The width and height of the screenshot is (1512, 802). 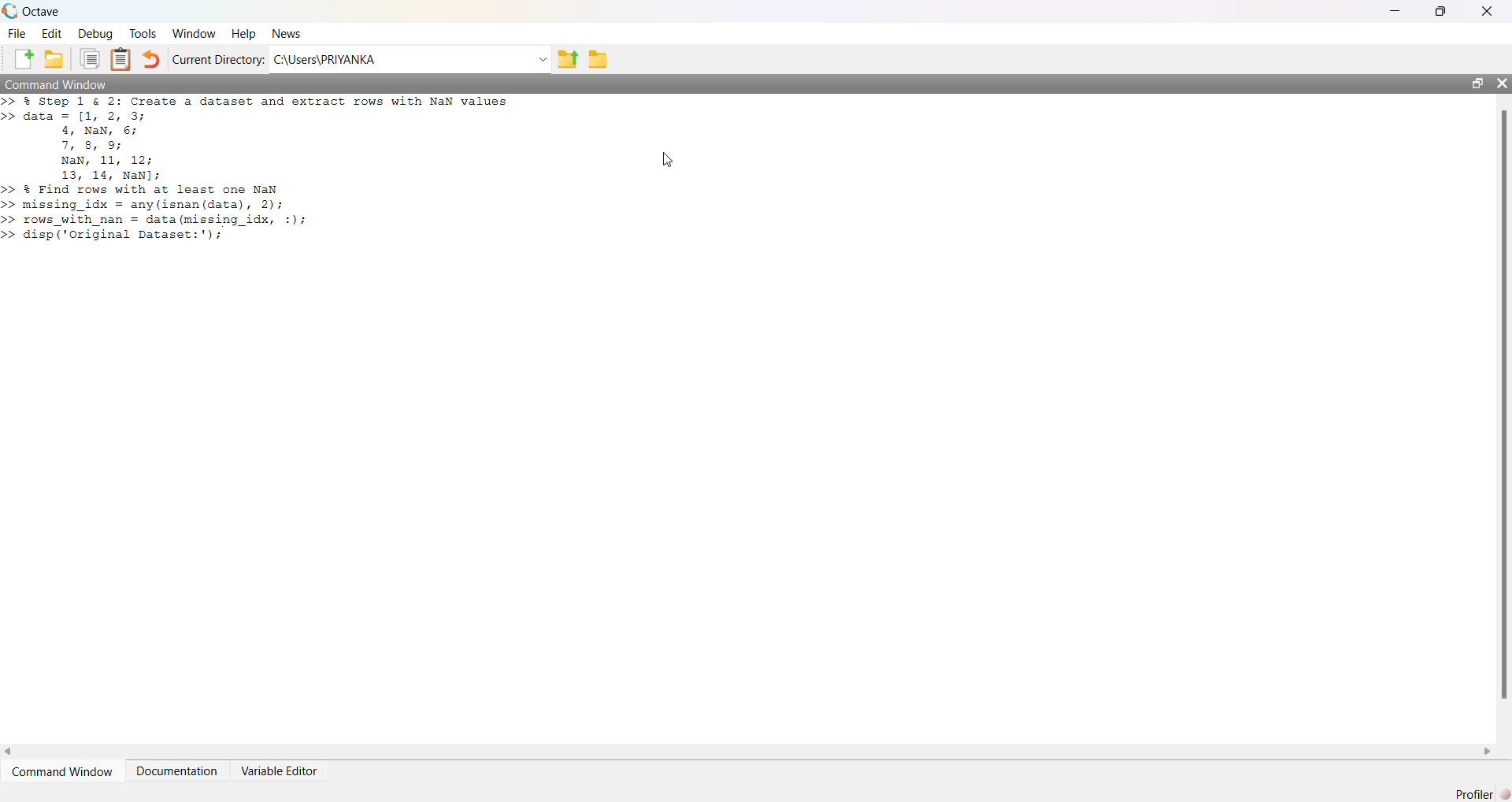 I want to click on Current Directory:, so click(x=219, y=59).